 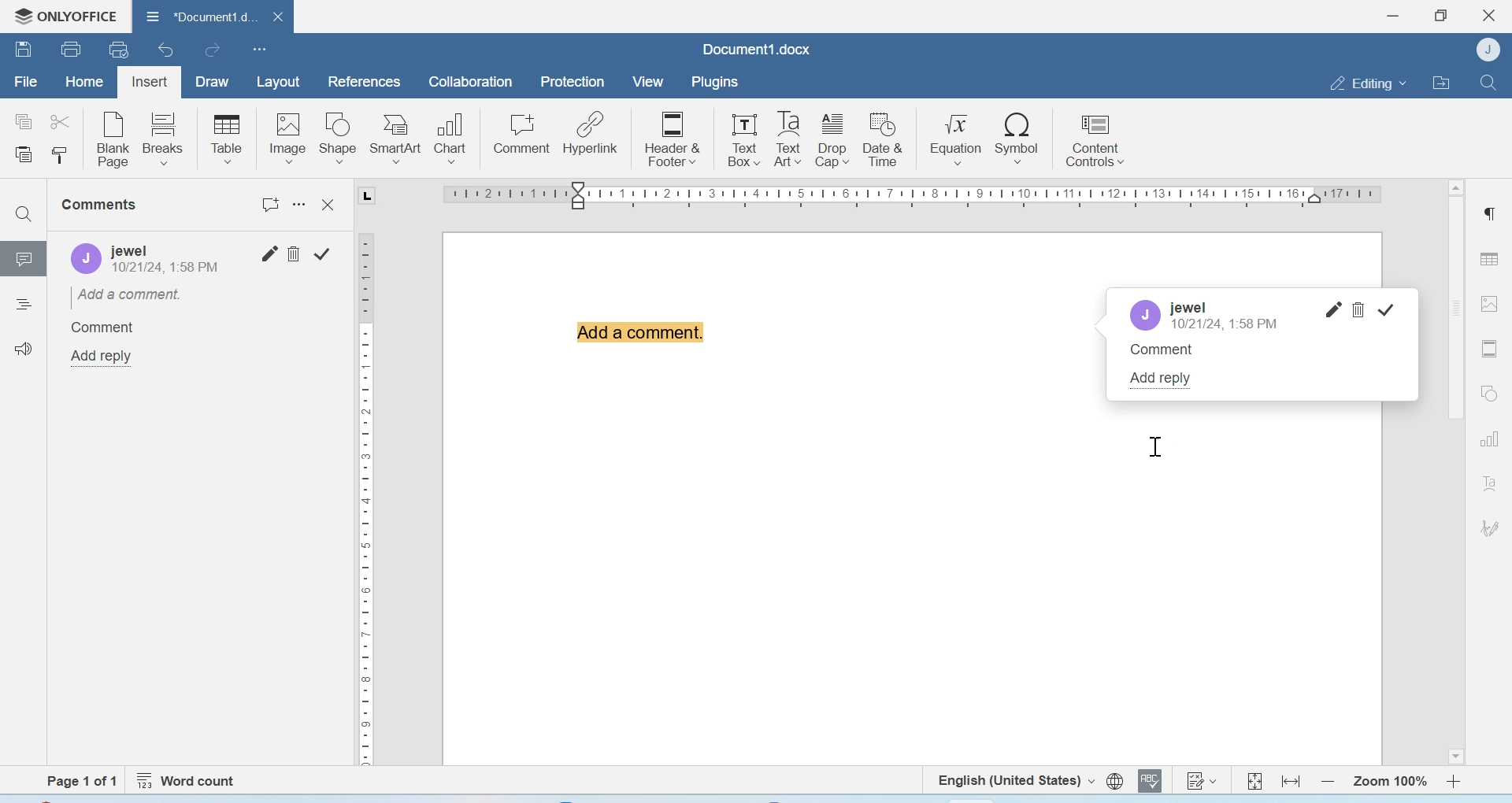 I want to click on Comment icon, so click(x=24, y=265).